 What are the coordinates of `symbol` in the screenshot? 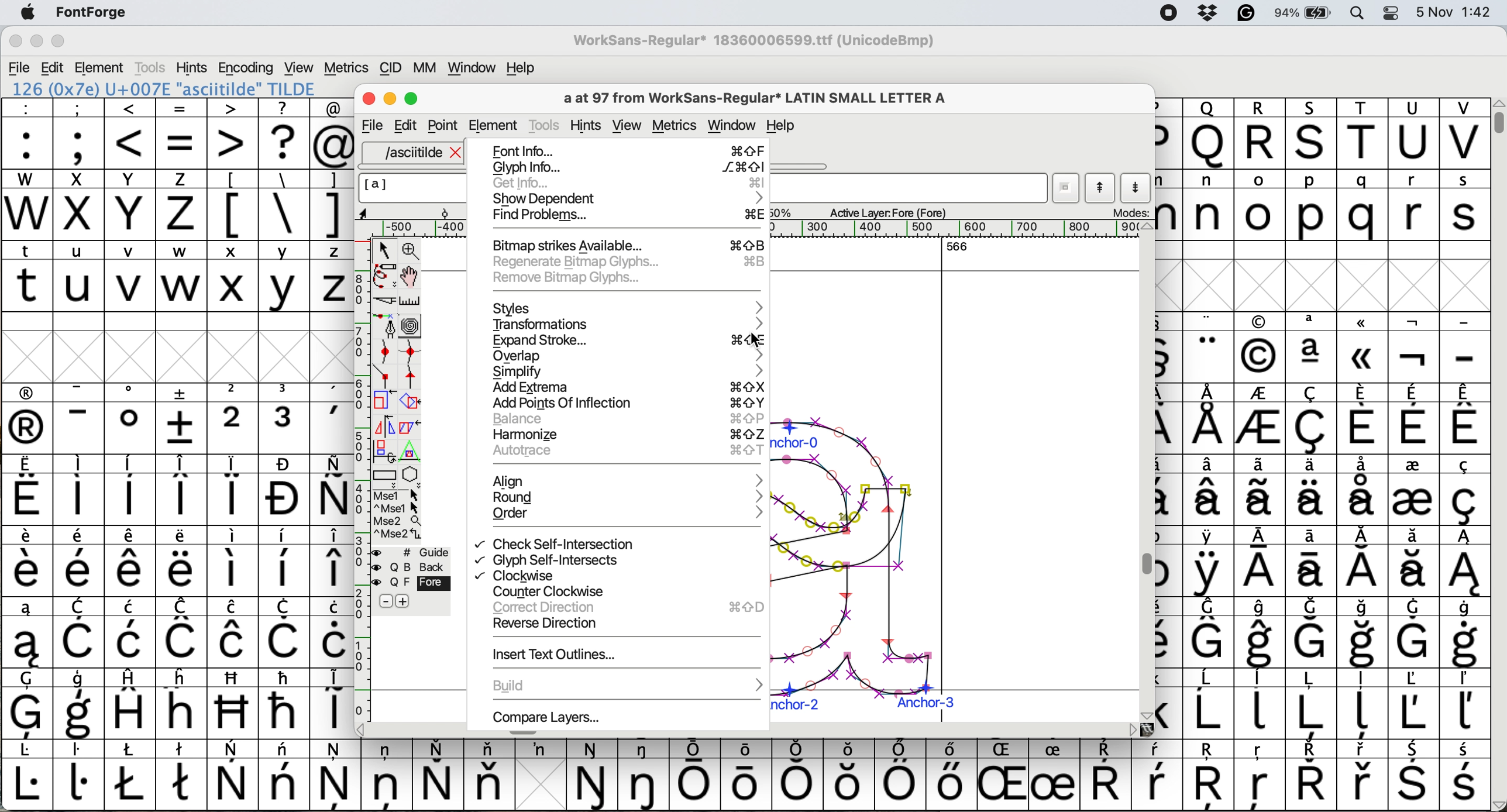 It's located at (1054, 776).